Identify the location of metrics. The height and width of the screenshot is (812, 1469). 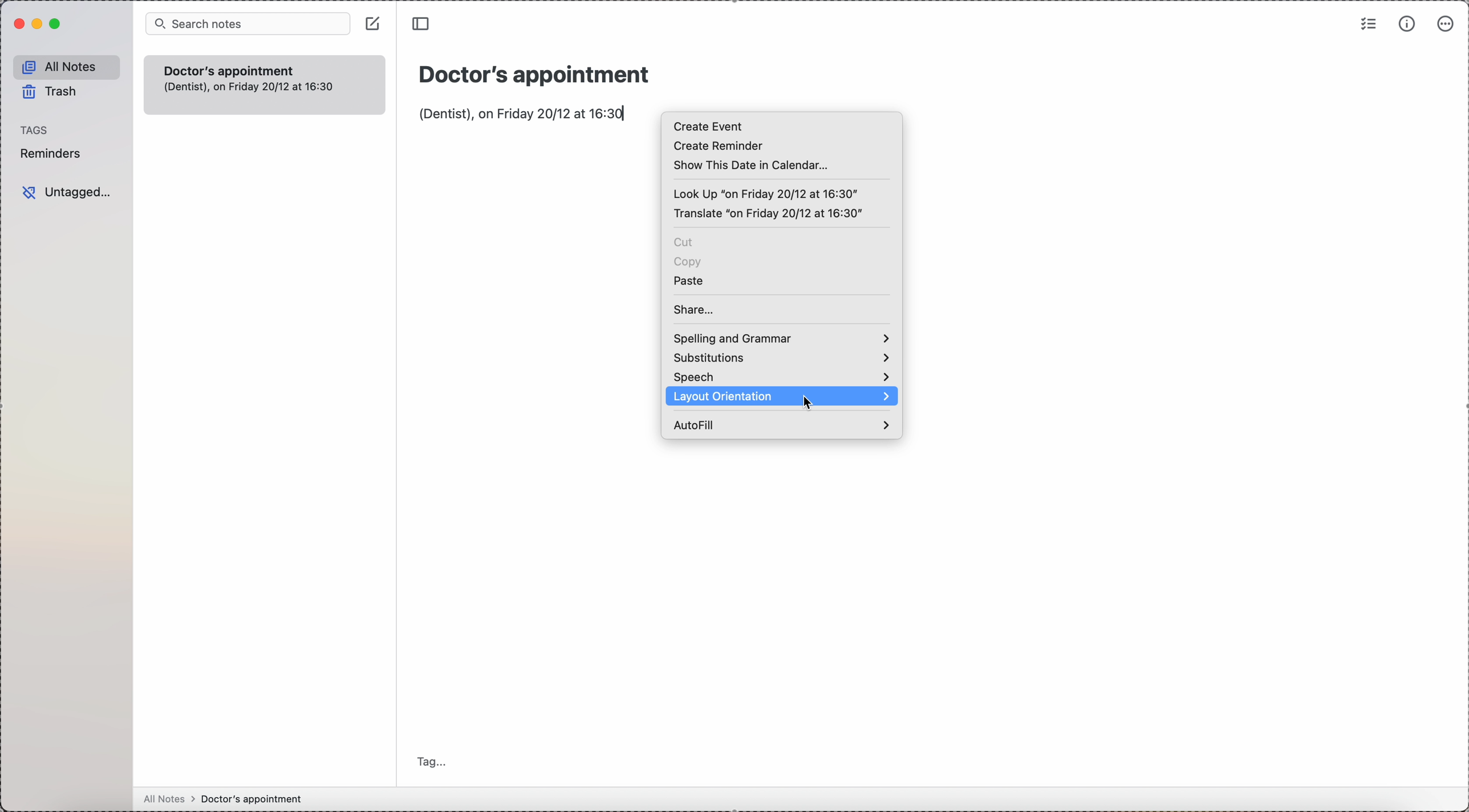
(1407, 24).